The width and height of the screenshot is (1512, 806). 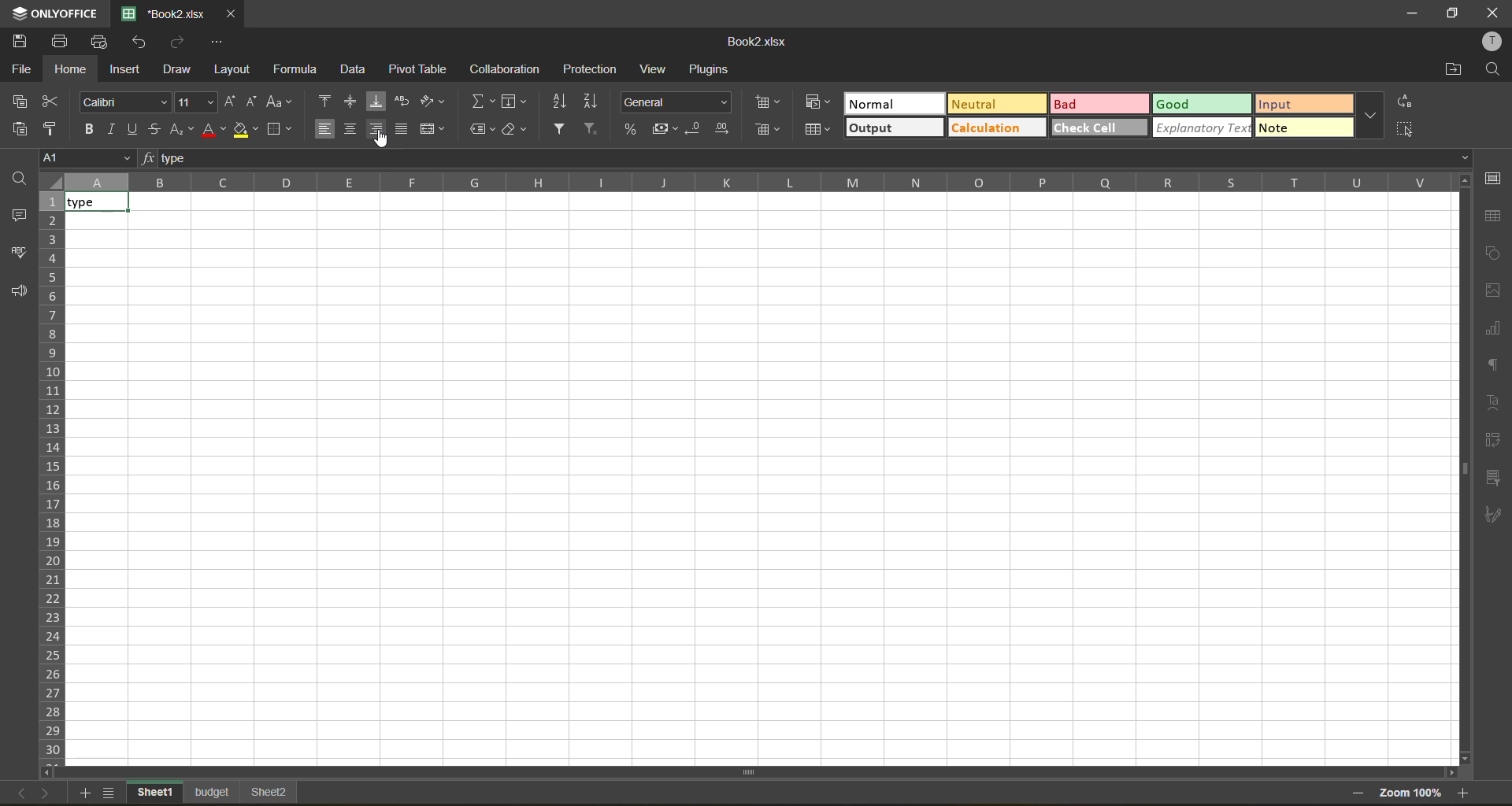 I want to click on sheet list, so click(x=112, y=794).